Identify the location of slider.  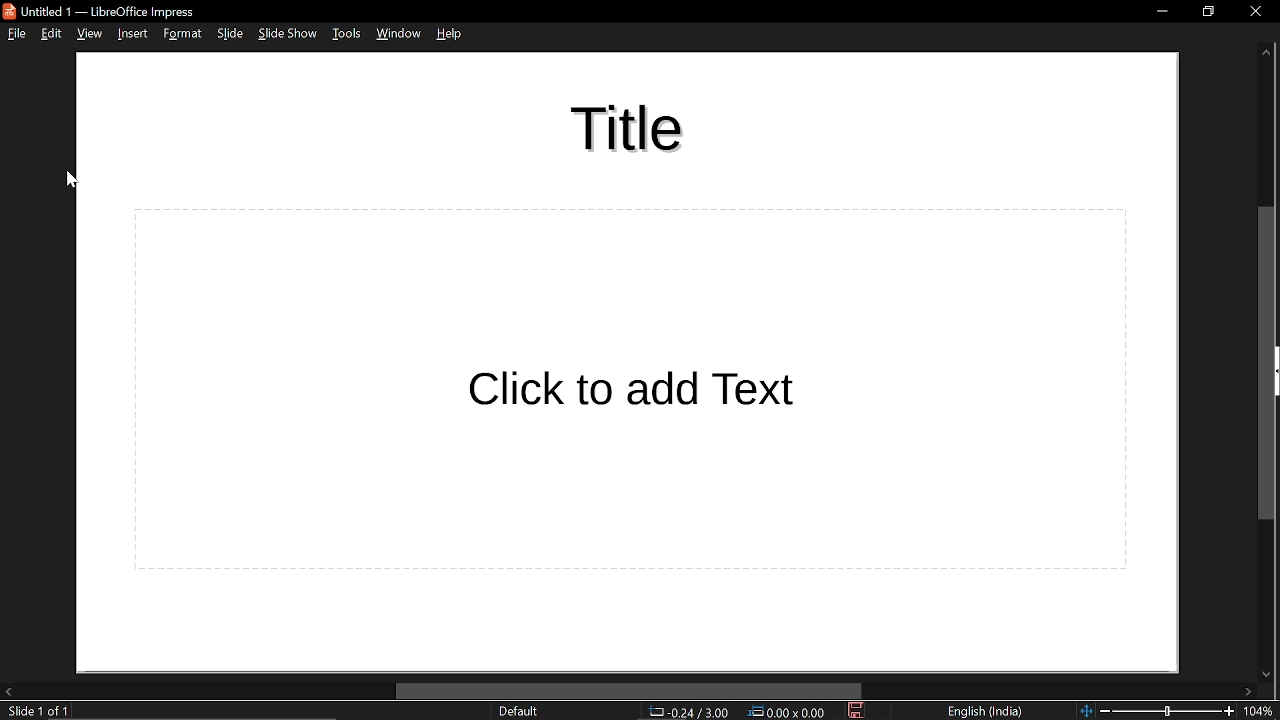
(1167, 709).